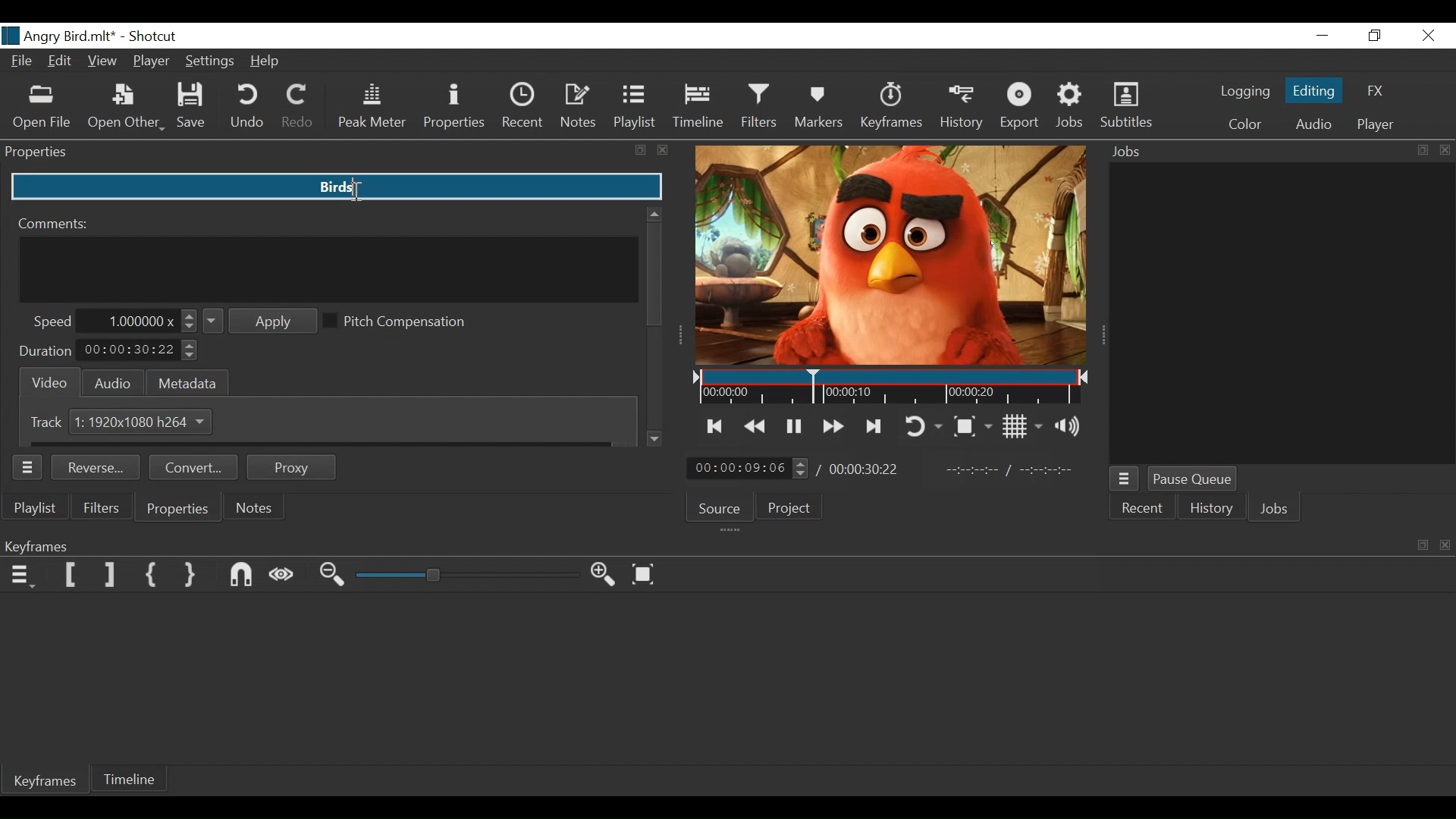 The height and width of the screenshot is (819, 1456). I want to click on Adjust Speed, so click(143, 321).